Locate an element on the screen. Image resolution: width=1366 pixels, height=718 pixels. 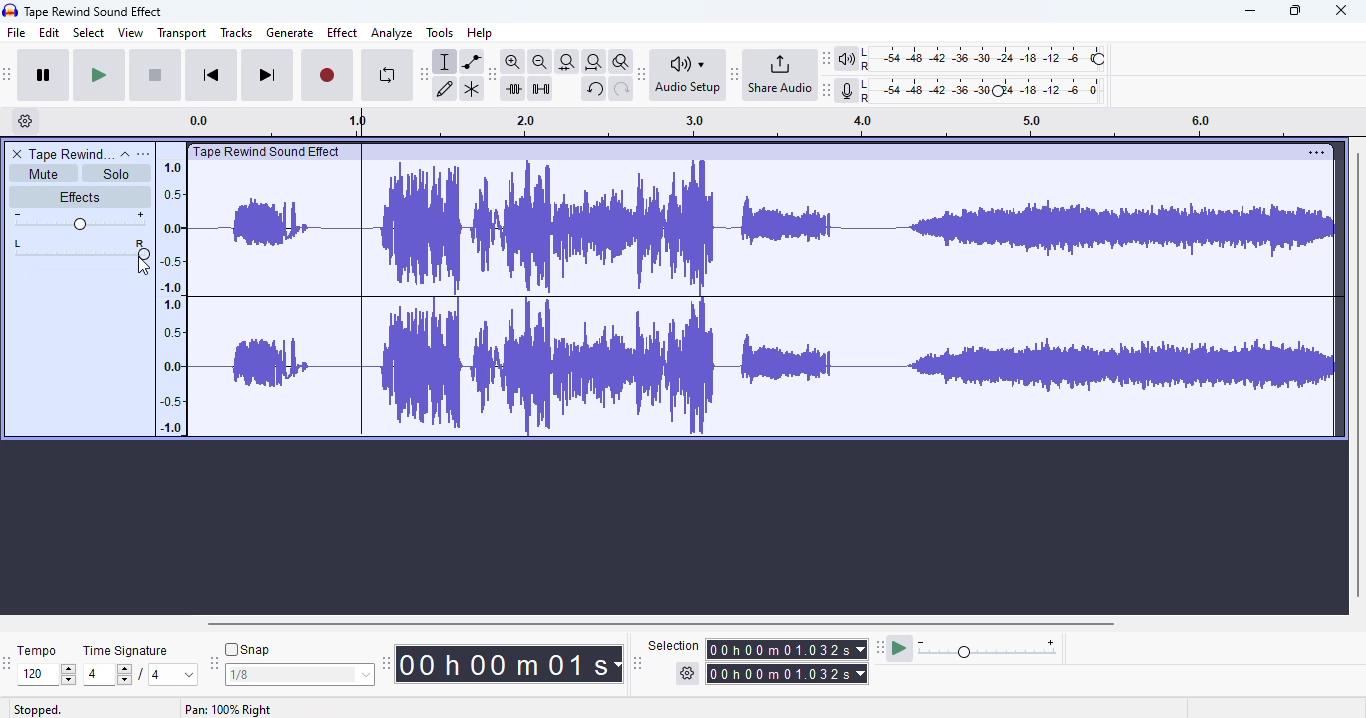
silence audio selection is located at coordinates (541, 89).